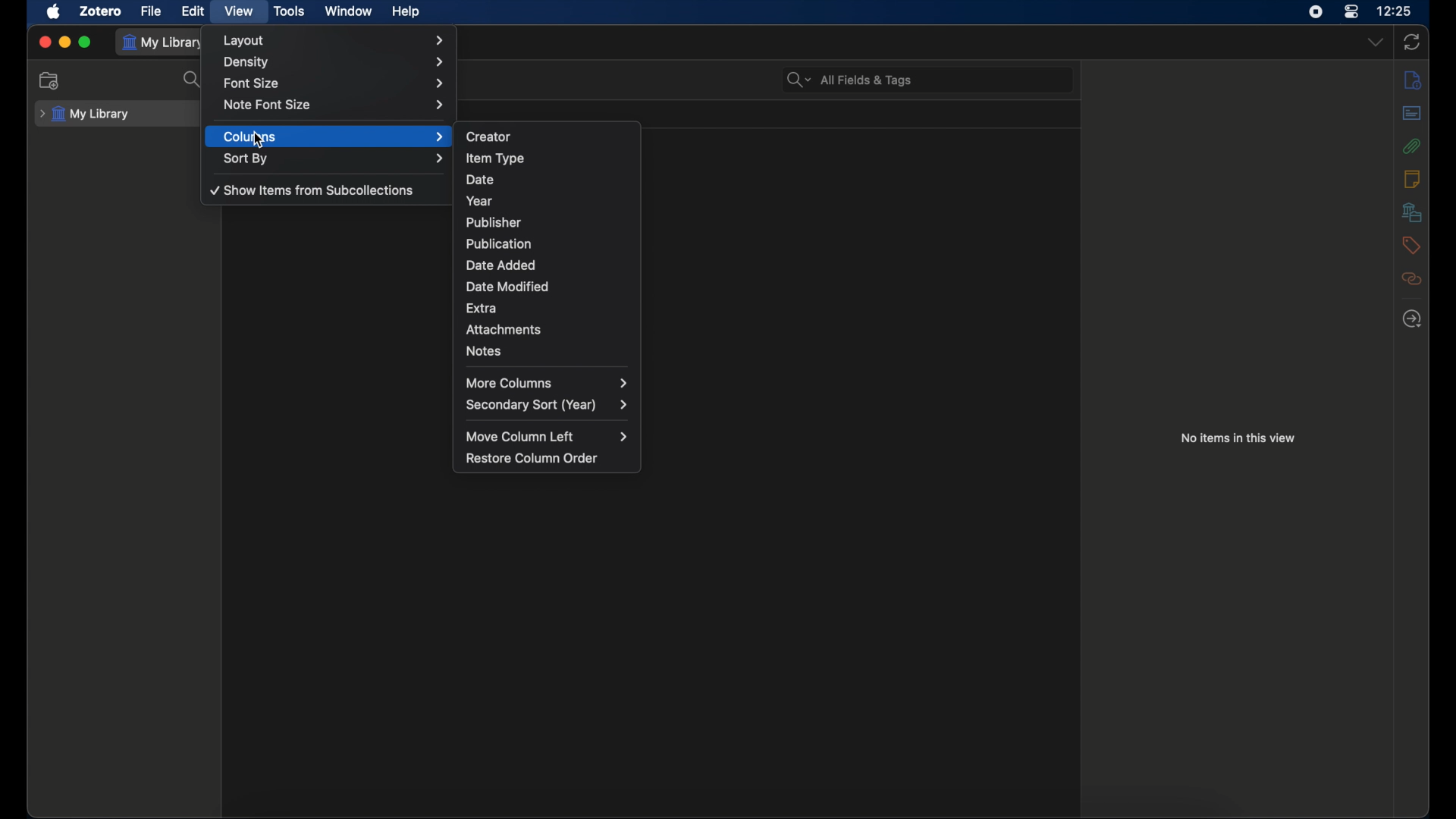  What do you see at coordinates (496, 159) in the screenshot?
I see `item type` at bounding box center [496, 159].